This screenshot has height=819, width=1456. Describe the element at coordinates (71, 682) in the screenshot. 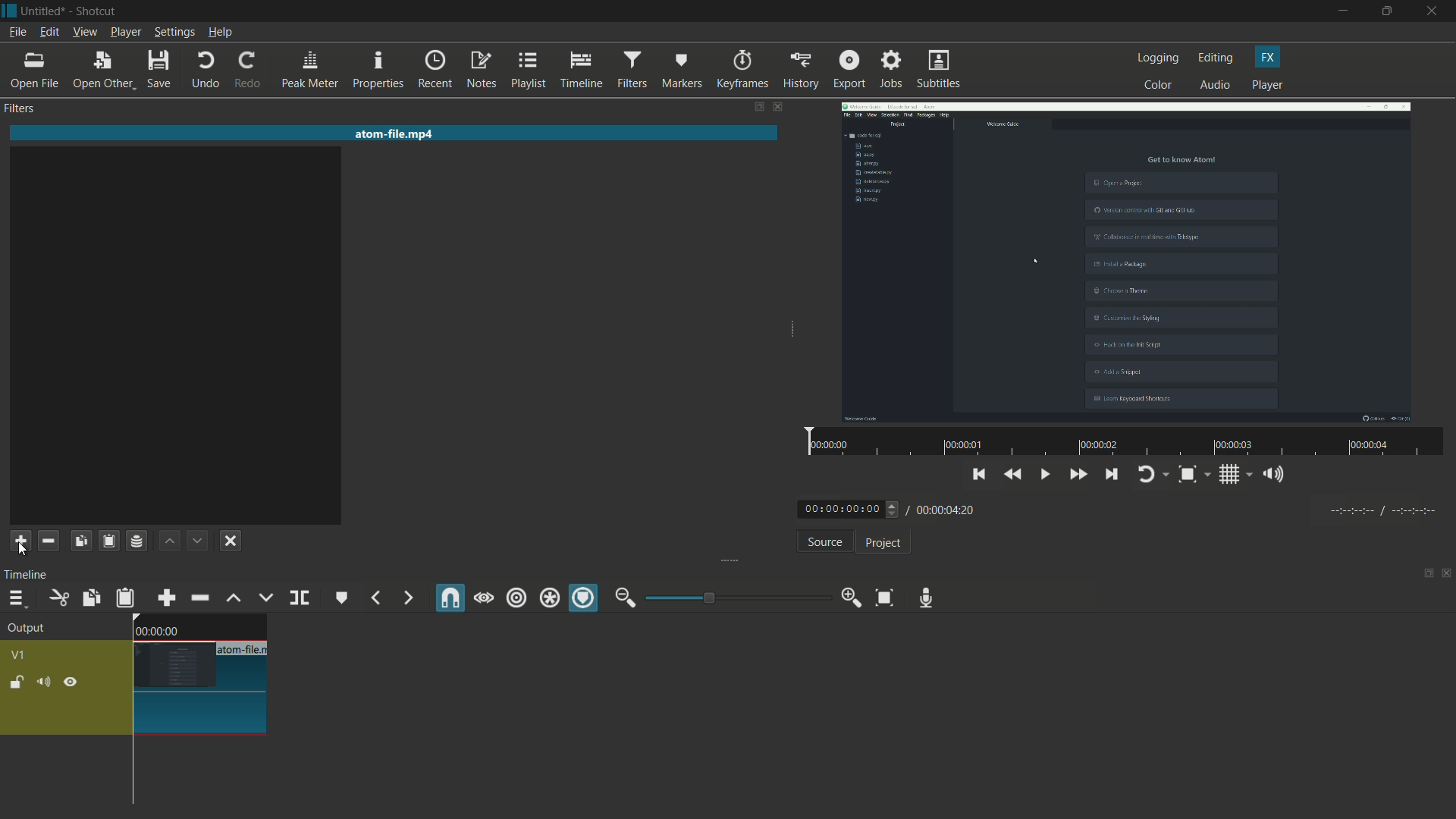

I see `hide` at that location.